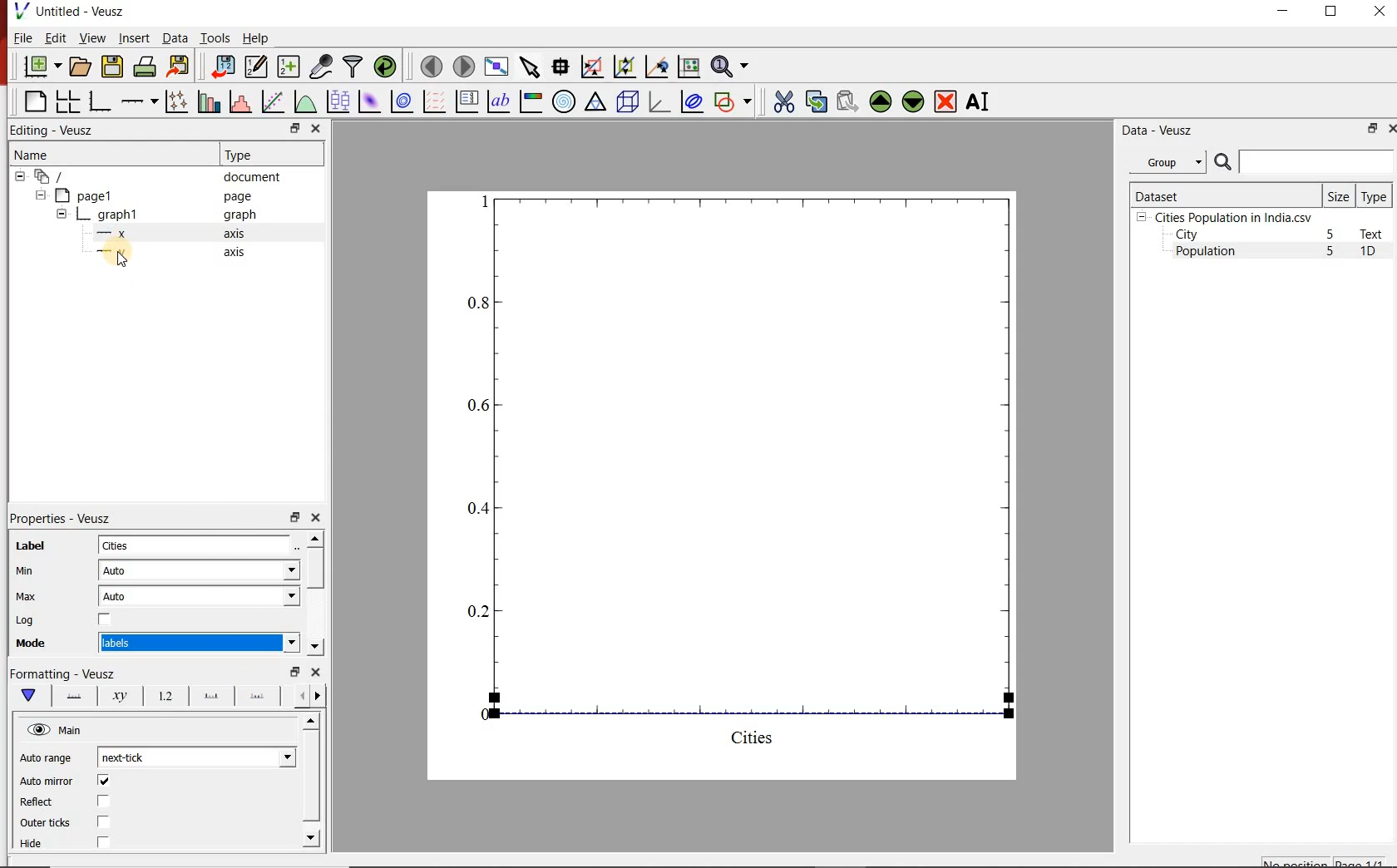  Describe the element at coordinates (254, 67) in the screenshot. I see `edit and enter new datasets` at that location.